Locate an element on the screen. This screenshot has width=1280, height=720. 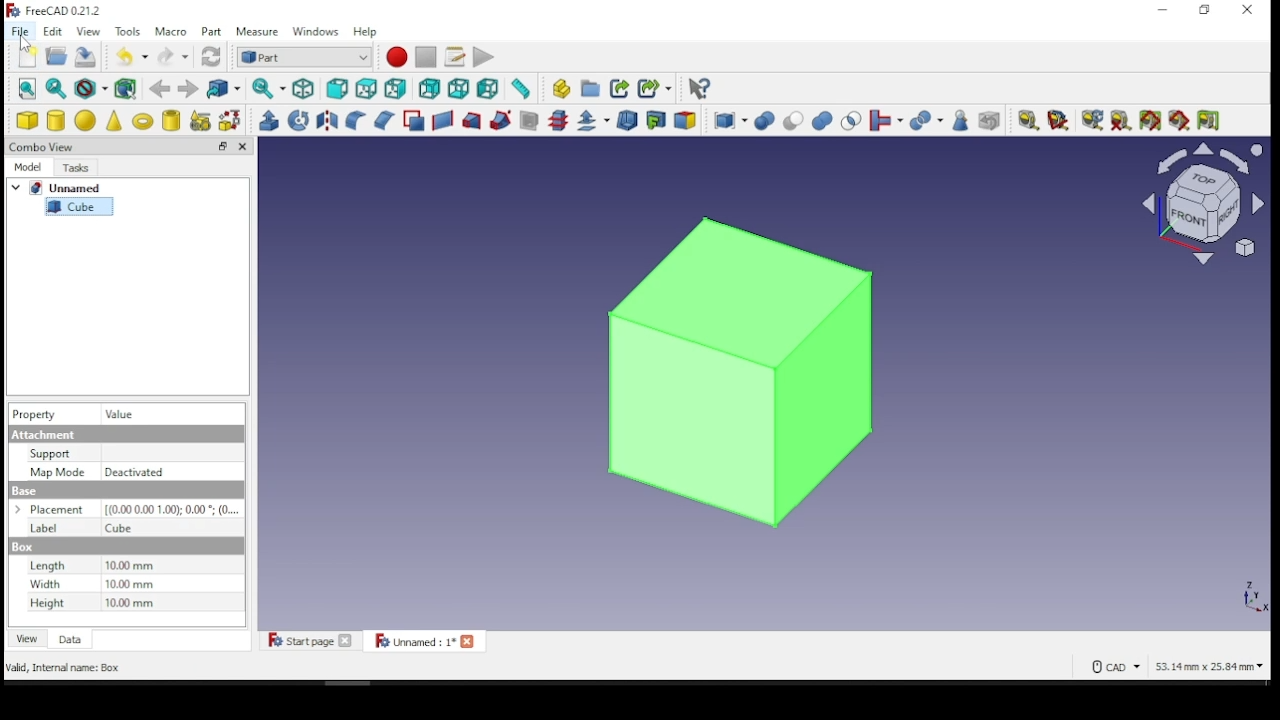
revolve is located at coordinates (299, 120).